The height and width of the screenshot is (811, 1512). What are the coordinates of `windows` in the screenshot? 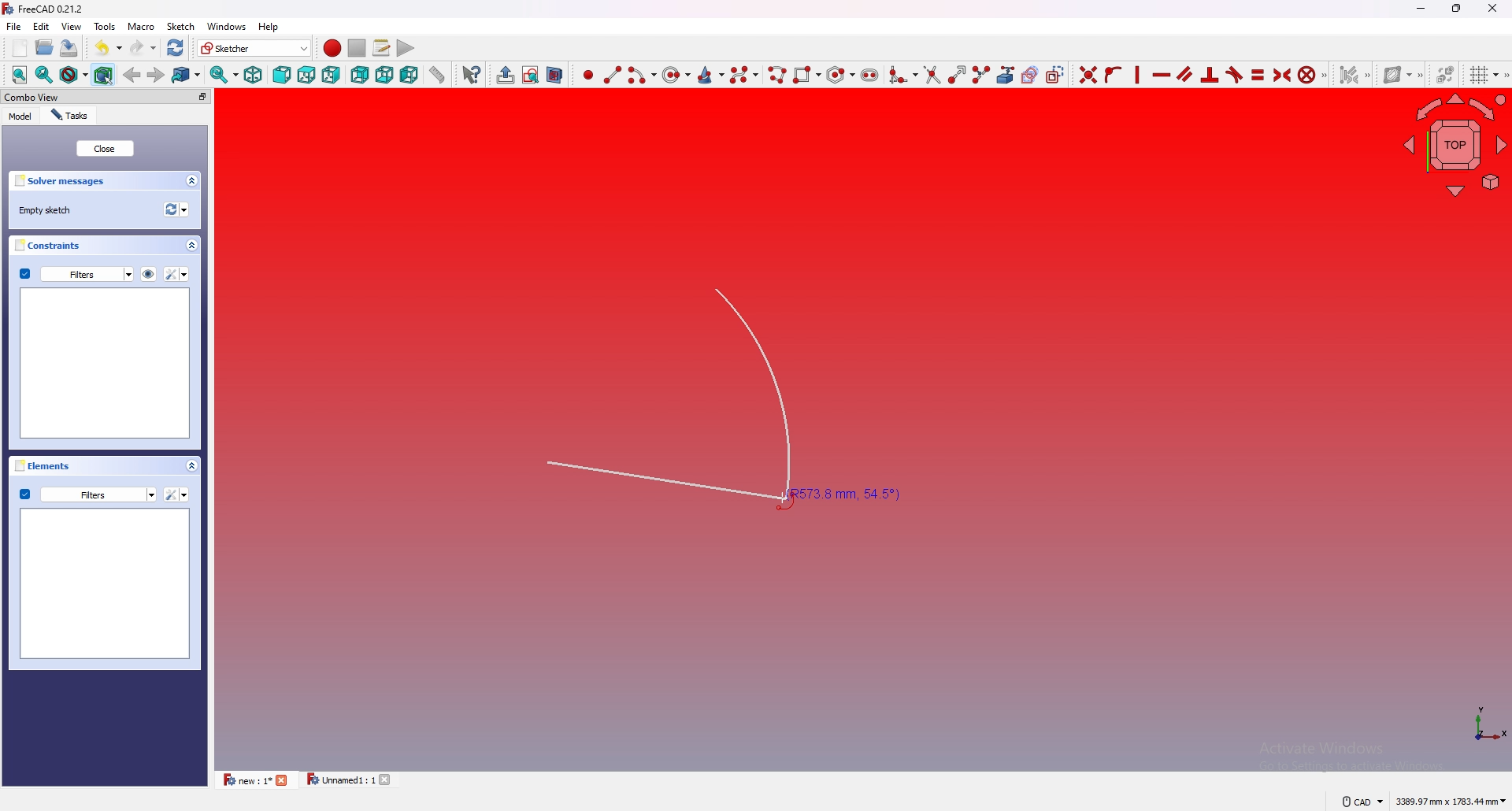 It's located at (225, 26).